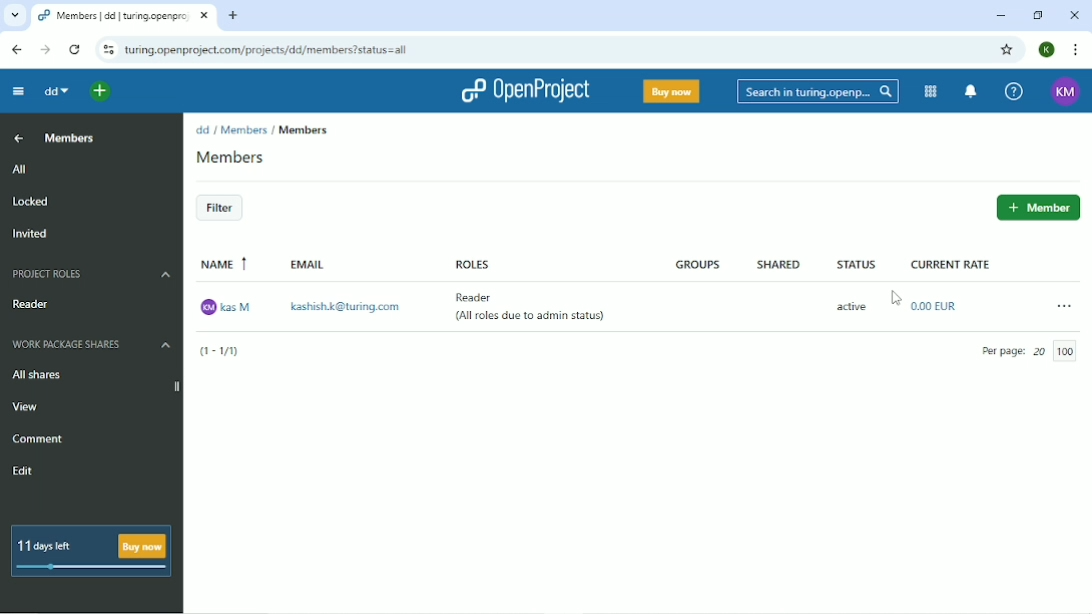  What do you see at coordinates (312, 266) in the screenshot?
I see `Email` at bounding box center [312, 266].